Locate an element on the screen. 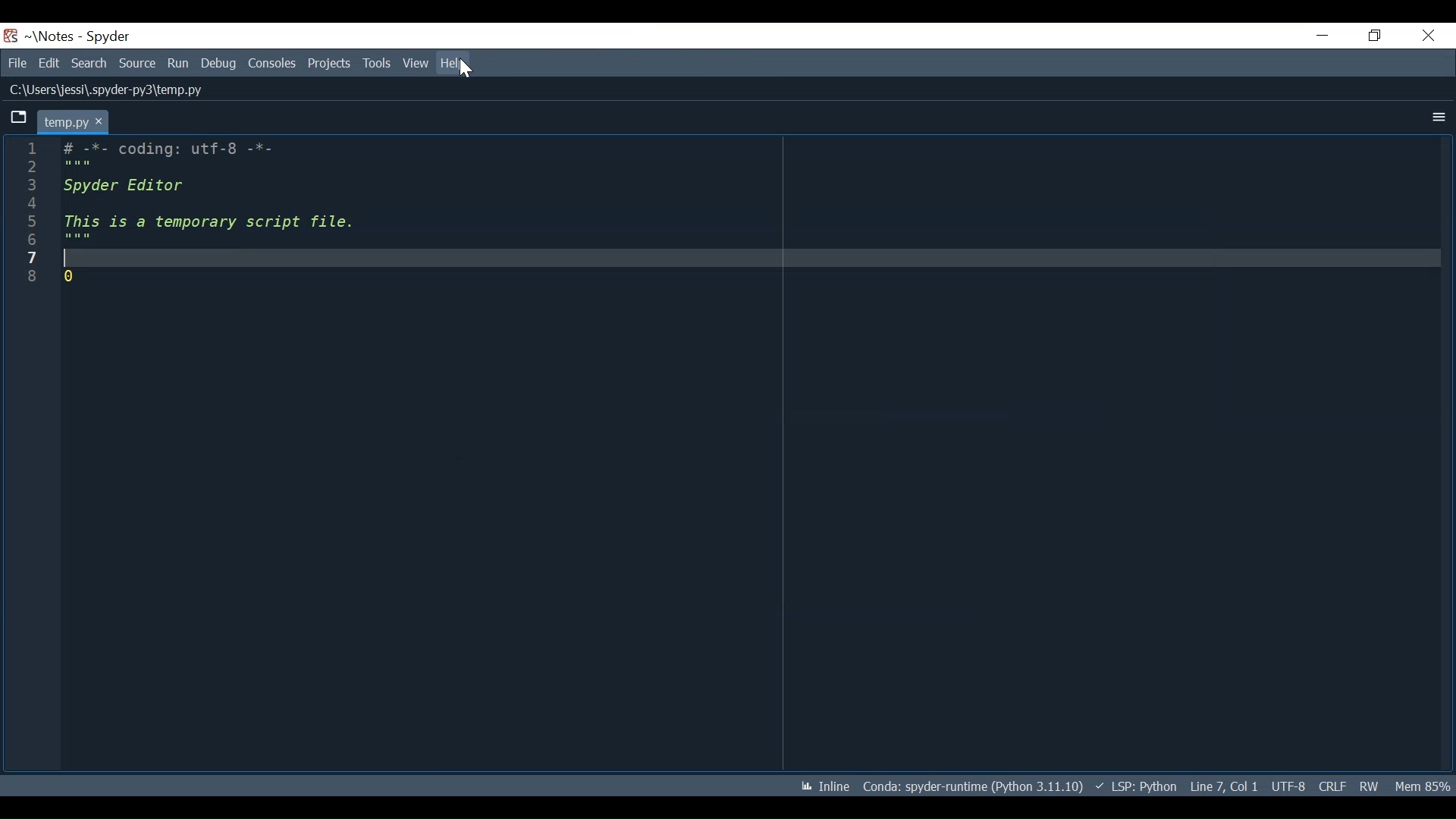  File  is located at coordinates (17, 62).